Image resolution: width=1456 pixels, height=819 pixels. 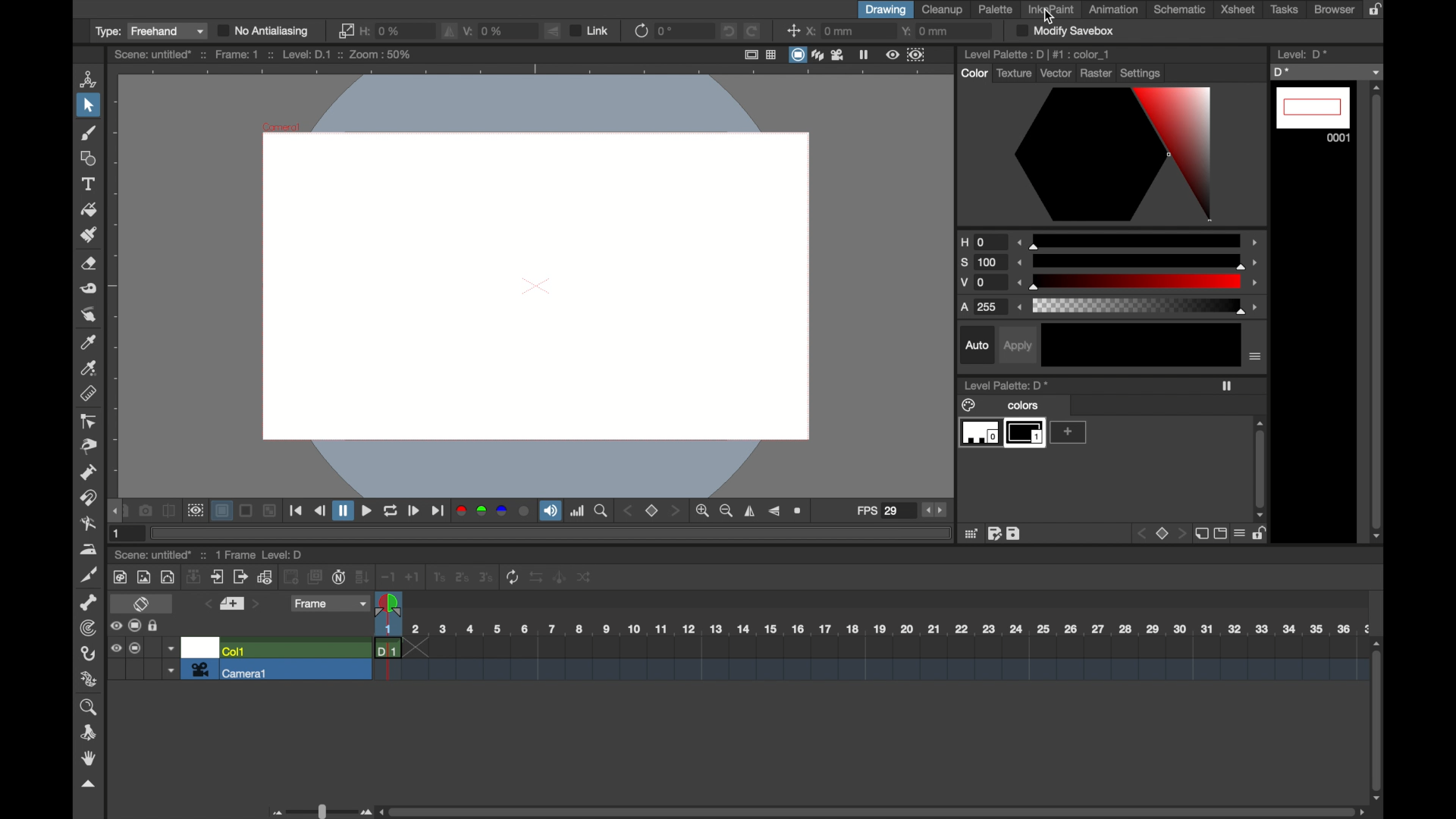 I want to click on image, so click(x=143, y=578).